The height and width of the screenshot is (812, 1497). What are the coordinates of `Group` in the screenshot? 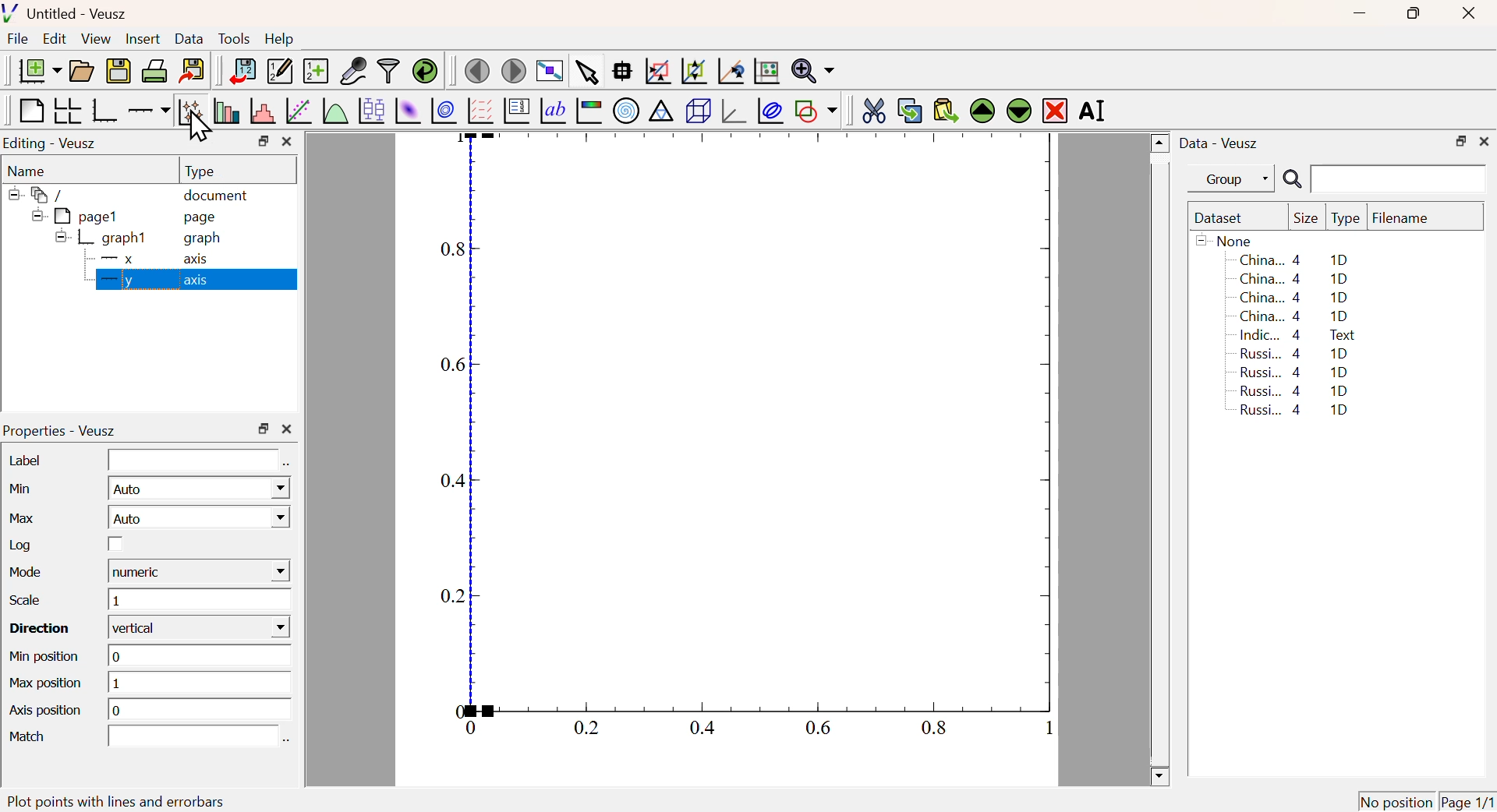 It's located at (1236, 180).